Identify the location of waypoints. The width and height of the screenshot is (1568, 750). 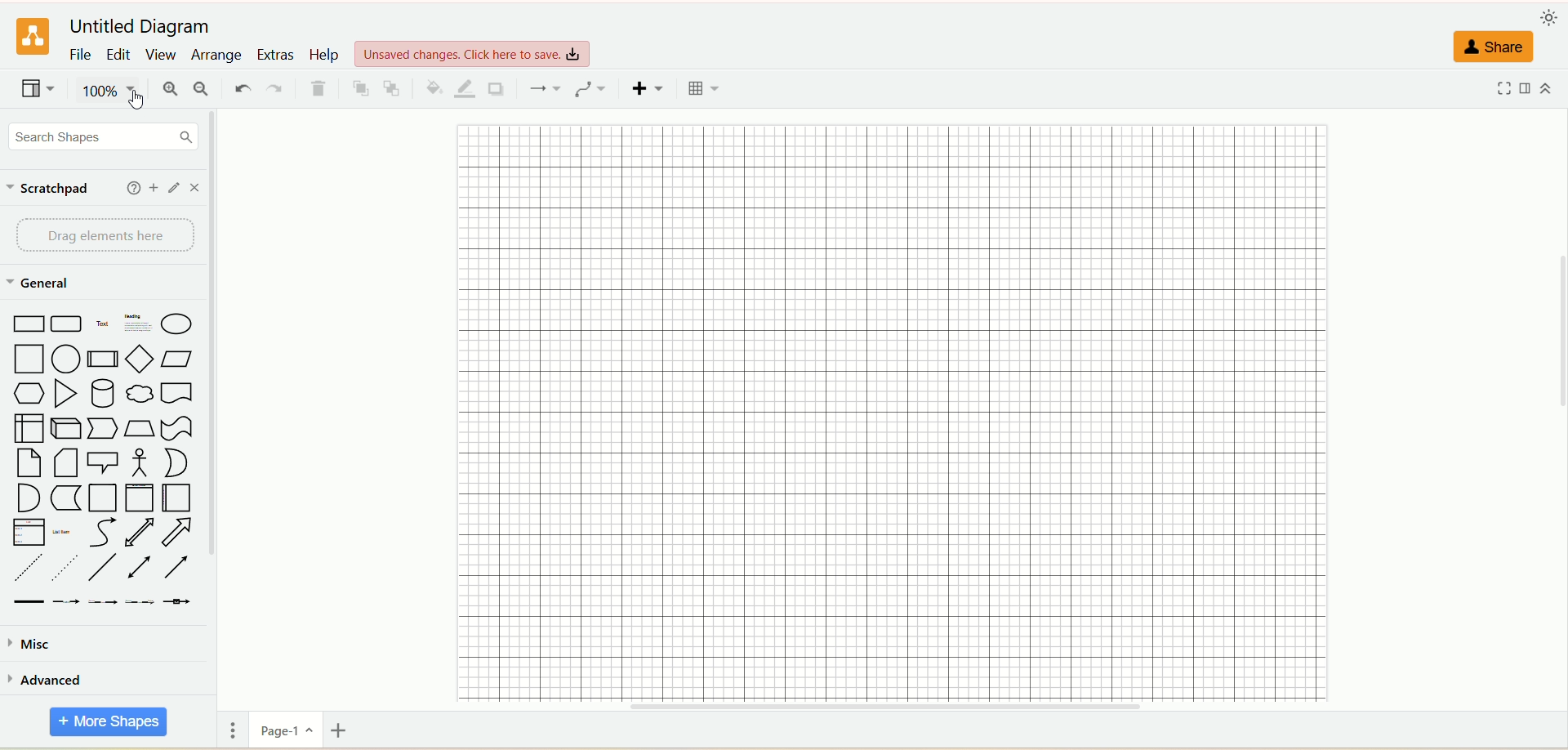
(587, 88).